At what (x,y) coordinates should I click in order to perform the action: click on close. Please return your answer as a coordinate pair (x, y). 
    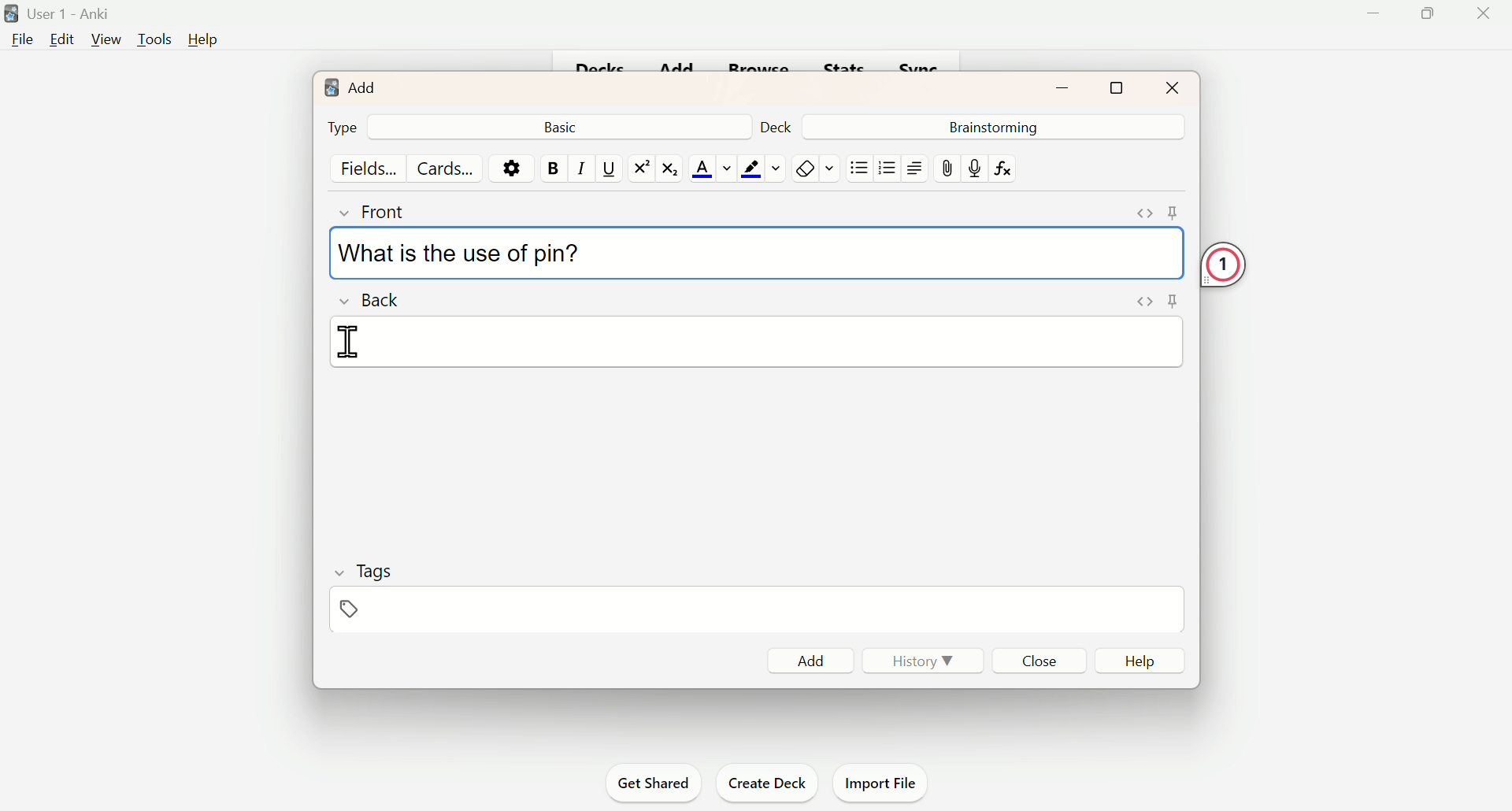
    Looking at the image, I should click on (1487, 21).